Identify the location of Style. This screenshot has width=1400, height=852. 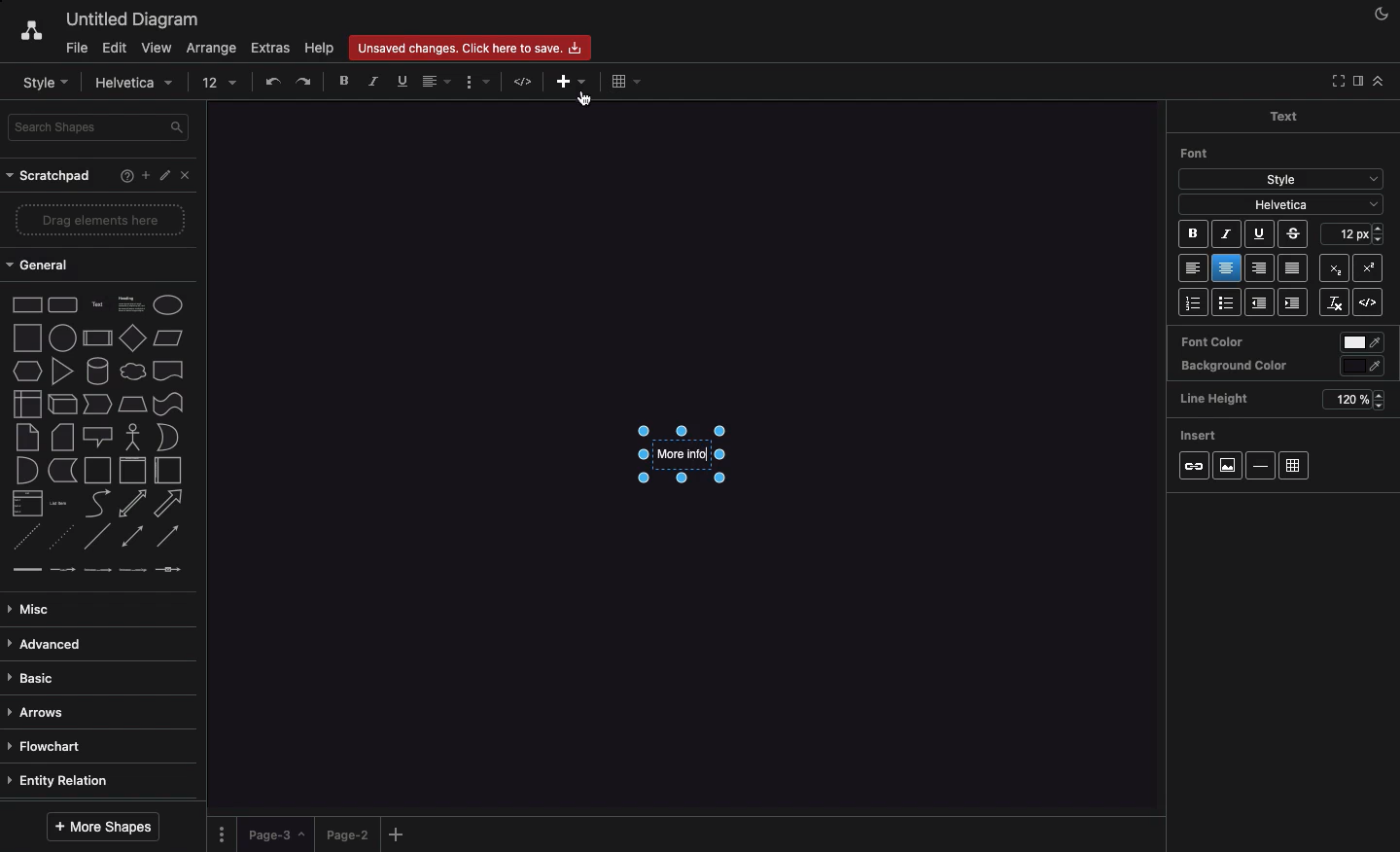
(45, 82).